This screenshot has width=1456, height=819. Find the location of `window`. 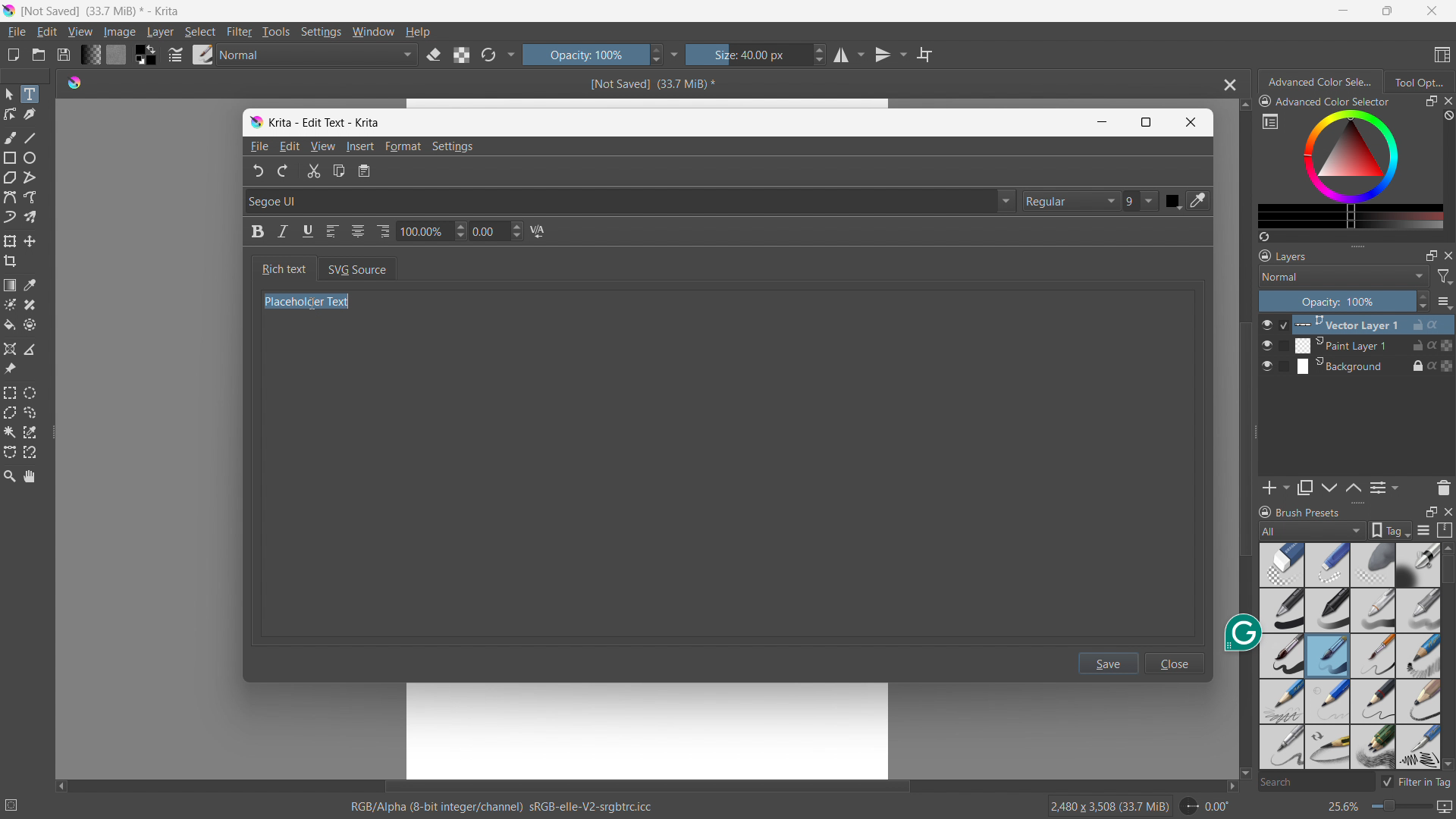

window is located at coordinates (373, 32).